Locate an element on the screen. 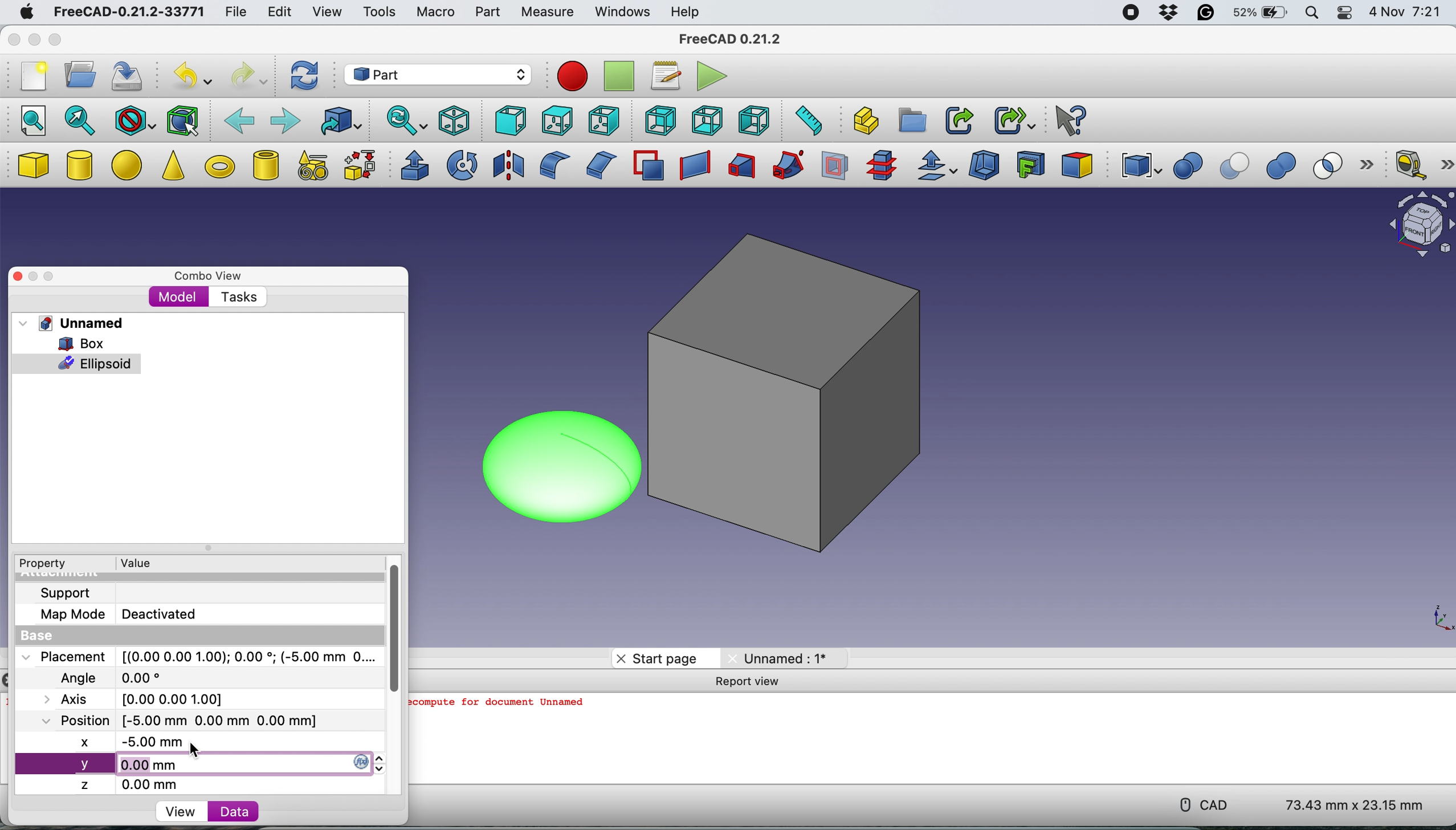  box is located at coordinates (32, 166).